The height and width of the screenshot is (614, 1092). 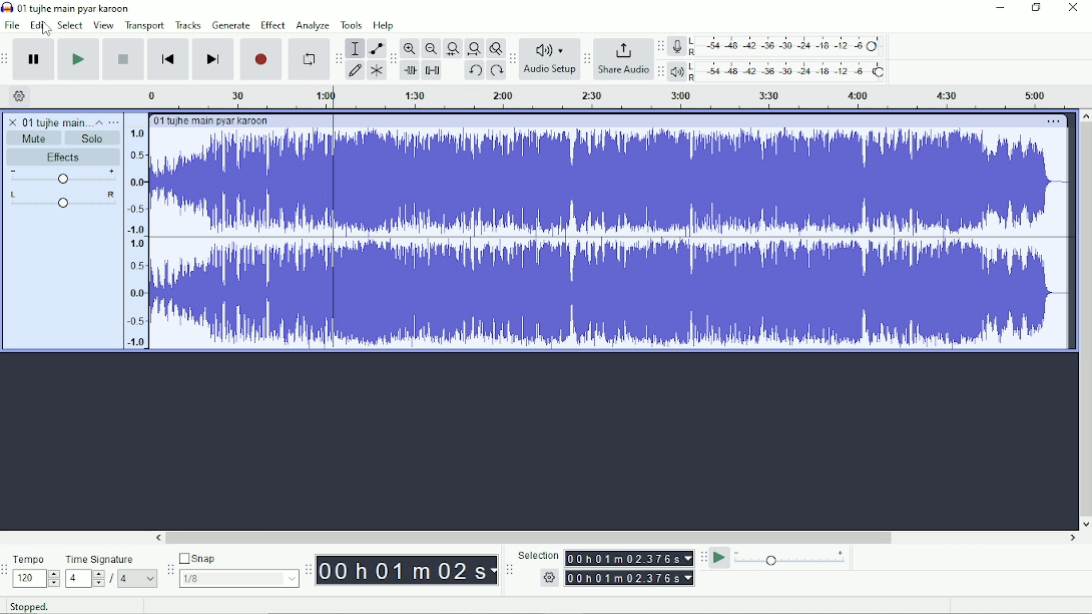 What do you see at coordinates (1085, 313) in the screenshot?
I see `Vertical scrollbar` at bounding box center [1085, 313].